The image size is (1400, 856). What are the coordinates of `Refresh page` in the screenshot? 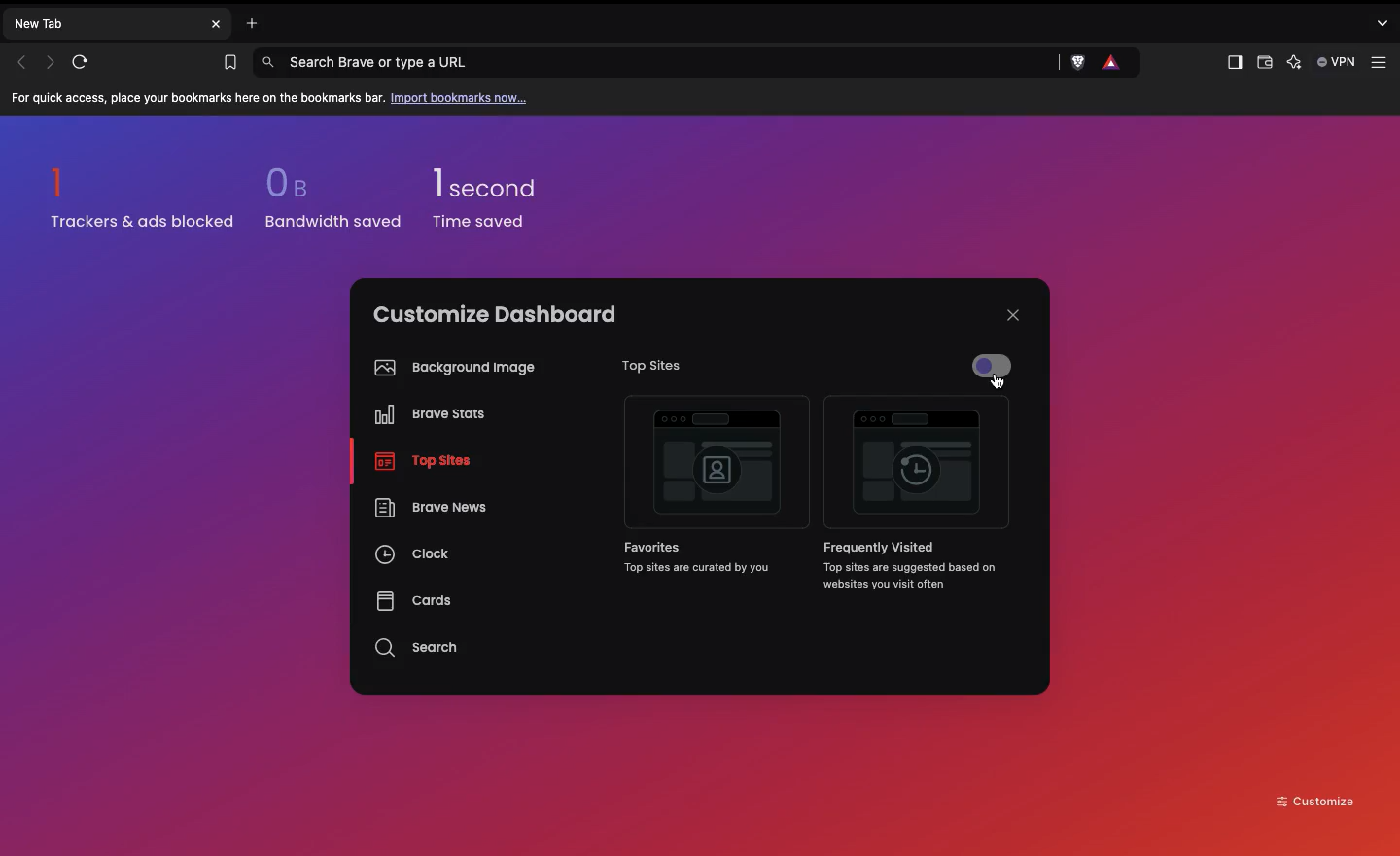 It's located at (87, 62).